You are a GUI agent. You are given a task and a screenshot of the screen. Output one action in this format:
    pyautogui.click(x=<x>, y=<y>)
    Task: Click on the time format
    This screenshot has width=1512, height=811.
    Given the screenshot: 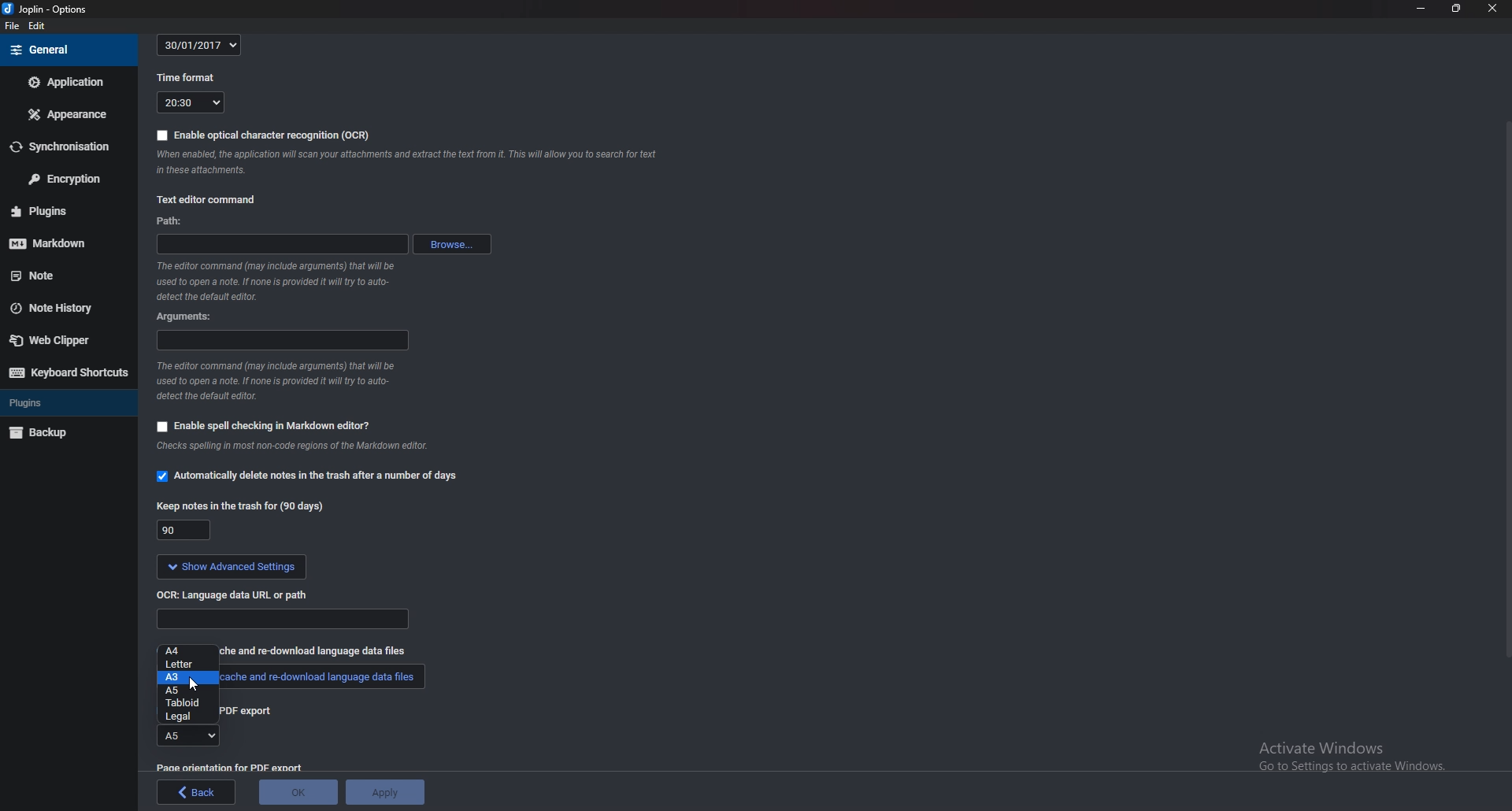 What is the action you would take?
    pyautogui.click(x=186, y=80)
    